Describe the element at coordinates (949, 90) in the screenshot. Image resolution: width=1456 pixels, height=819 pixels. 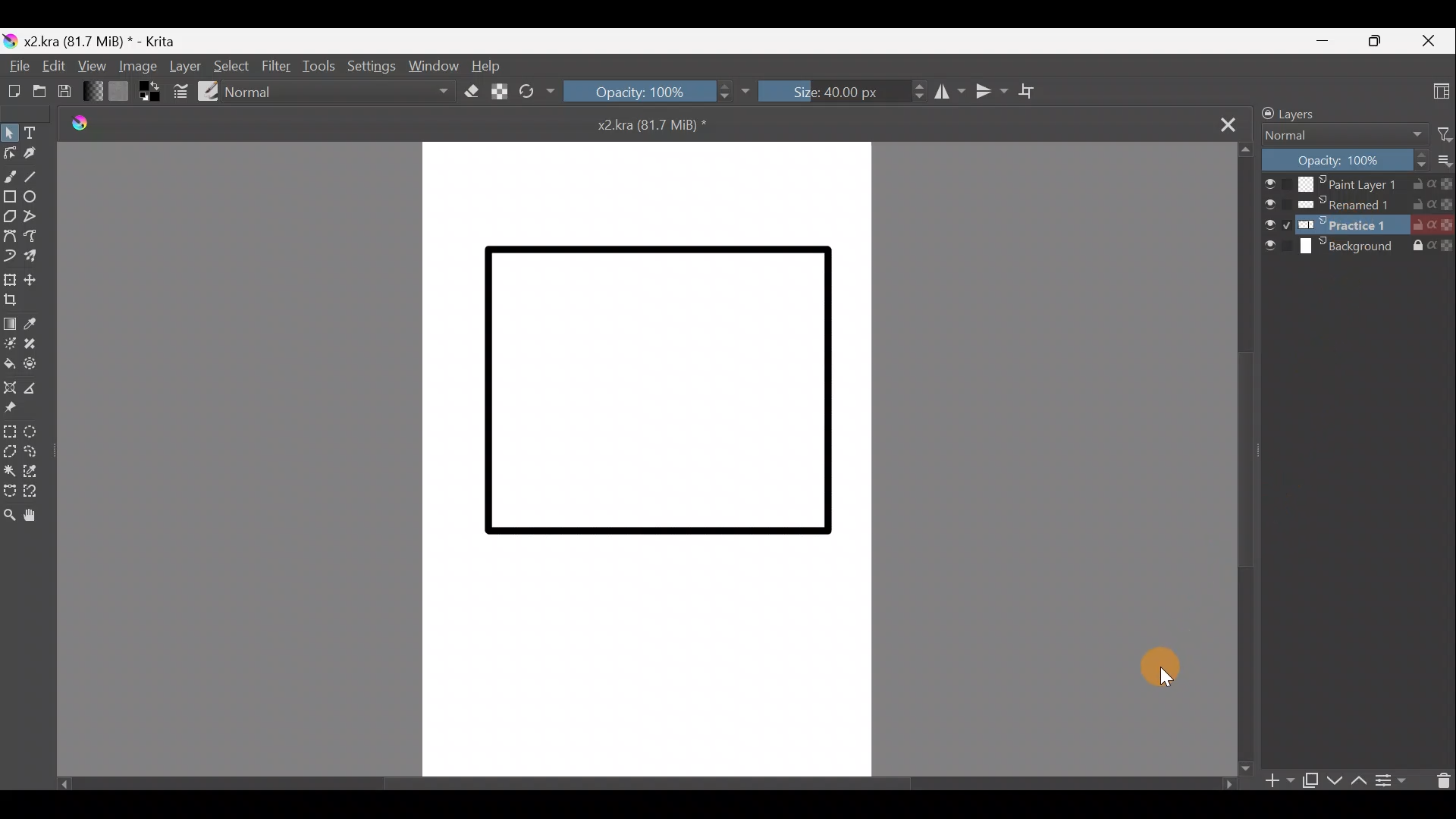
I see `Horizontal mirror tool` at that location.